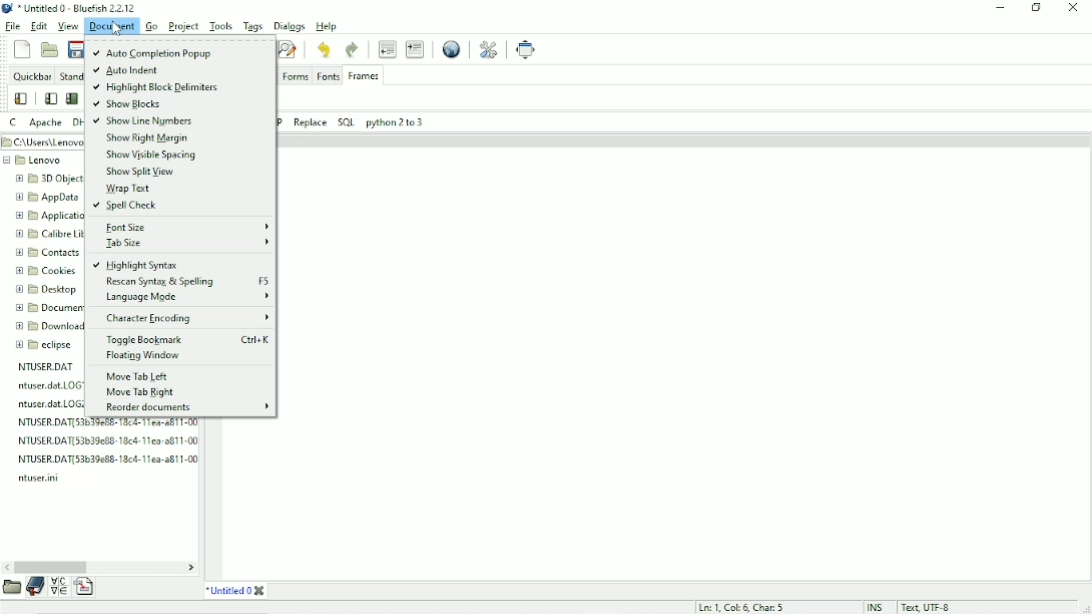 Image resolution: width=1092 pixels, height=614 pixels. What do you see at coordinates (1000, 7) in the screenshot?
I see `Minimize` at bounding box center [1000, 7].